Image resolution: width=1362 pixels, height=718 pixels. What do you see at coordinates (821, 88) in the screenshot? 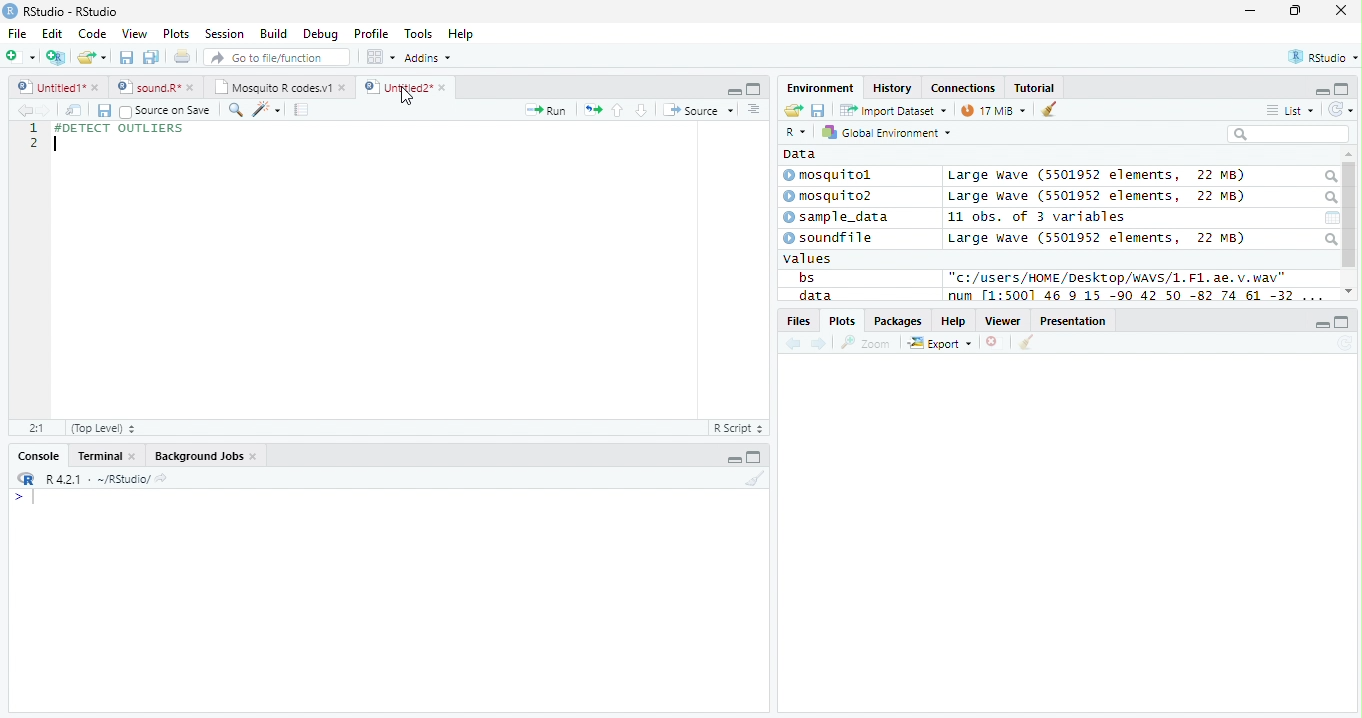
I see `Environment` at bounding box center [821, 88].